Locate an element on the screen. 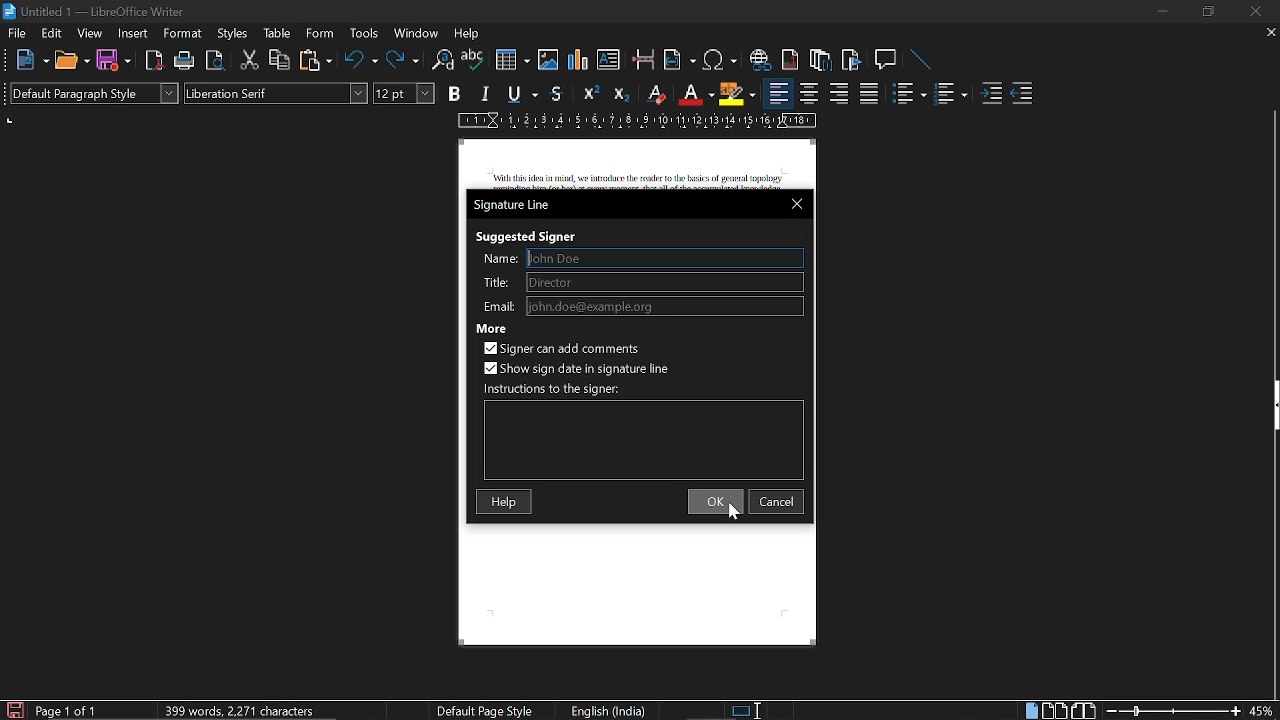 This screenshot has width=1280, height=720. view is located at coordinates (90, 32).